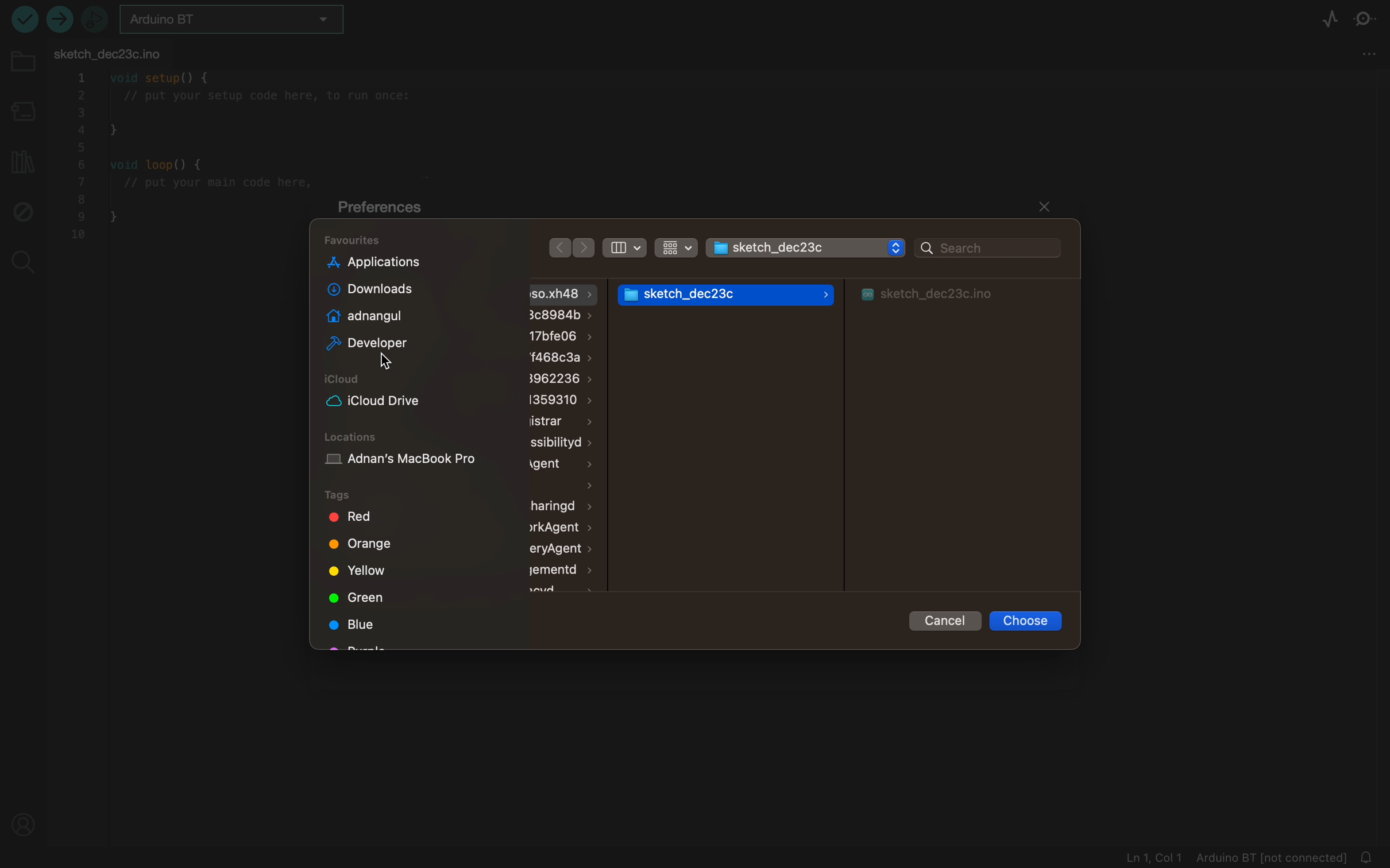 This screenshot has height=868, width=1390. Describe the element at coordinates (1370, 854) in the screenshot. I see `Notifications ` at that location.